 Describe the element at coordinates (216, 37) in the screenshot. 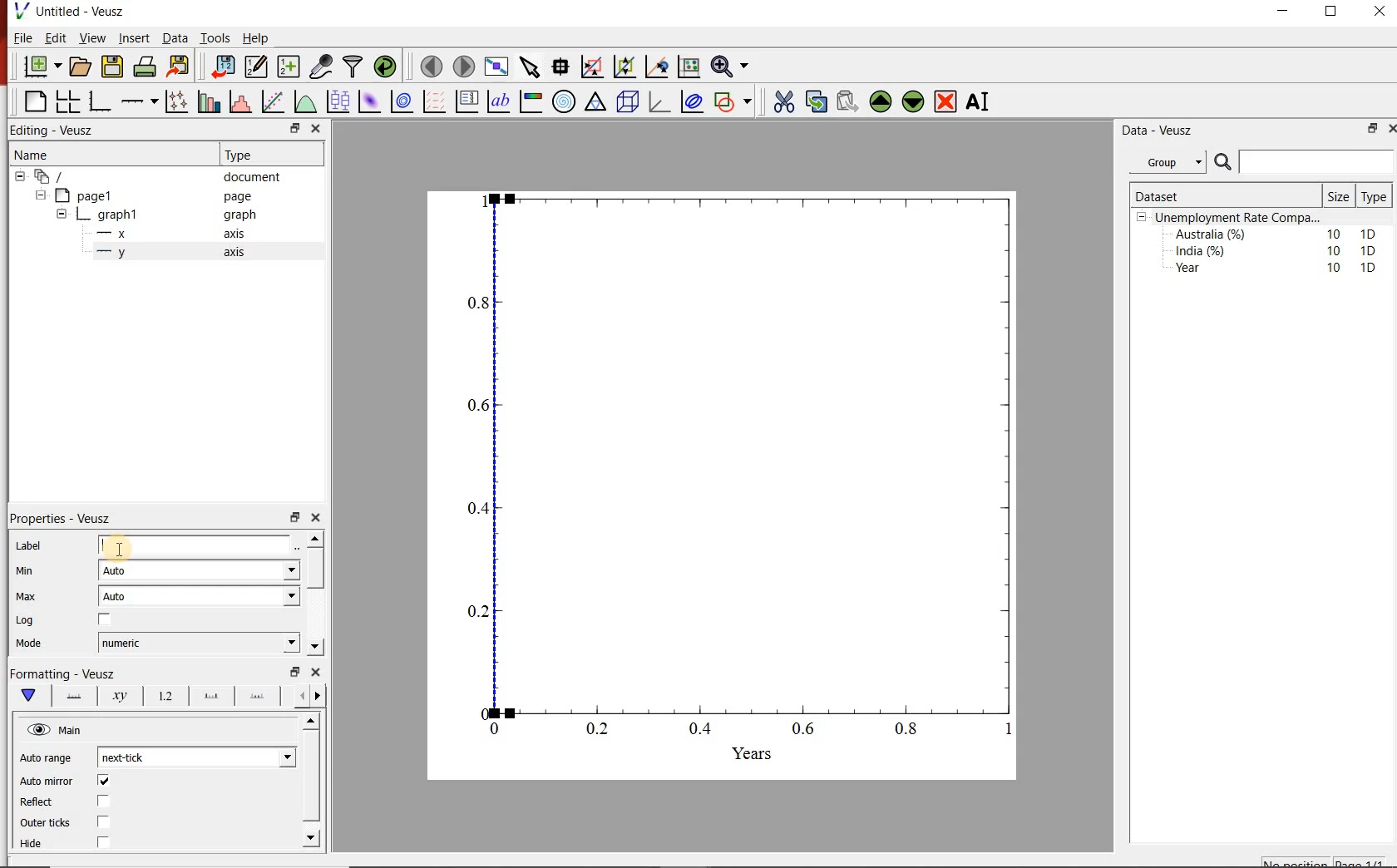

I see `Tools` at that location.